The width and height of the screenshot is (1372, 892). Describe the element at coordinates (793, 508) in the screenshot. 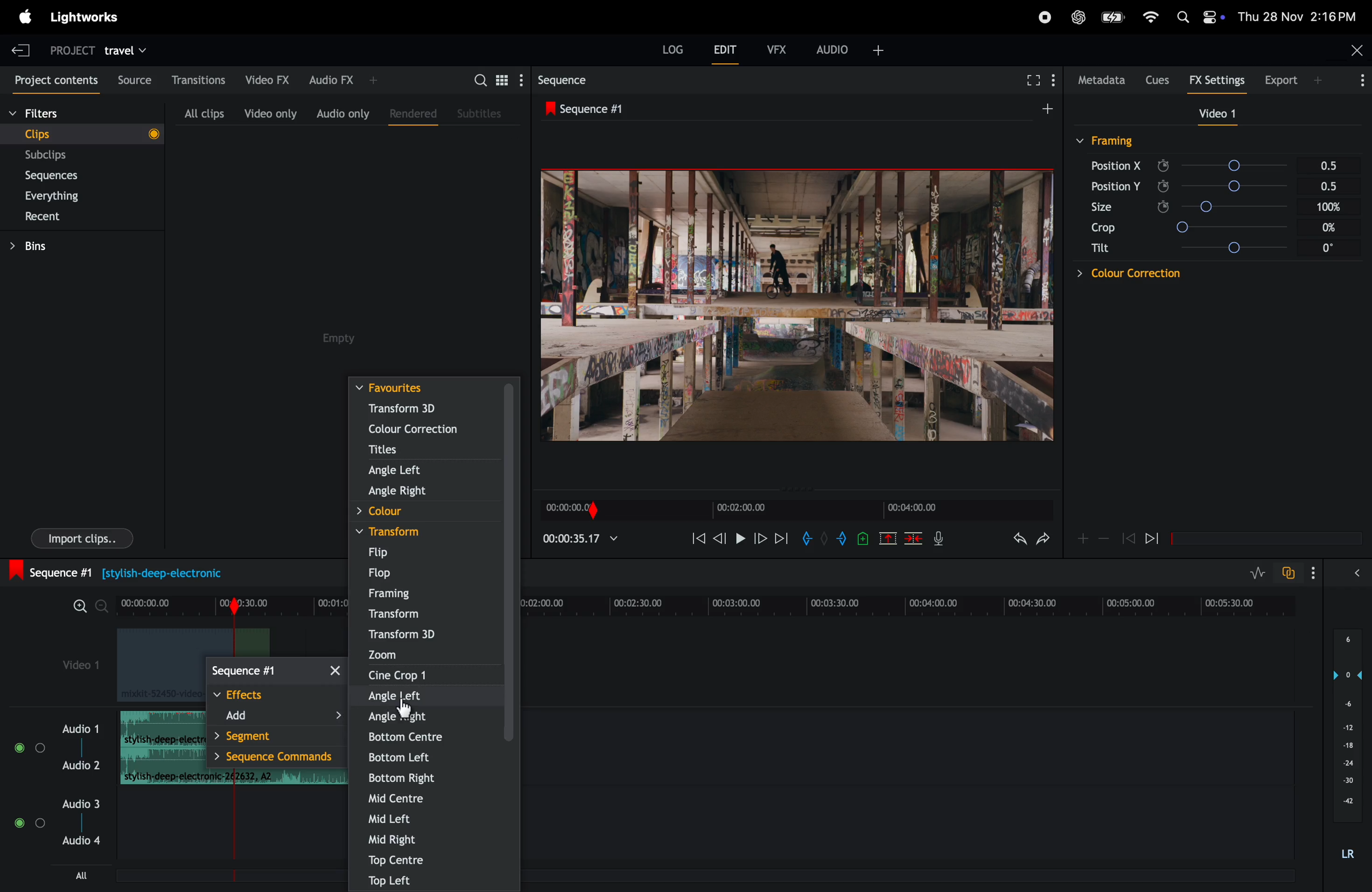

I see `timeframe` at that location.